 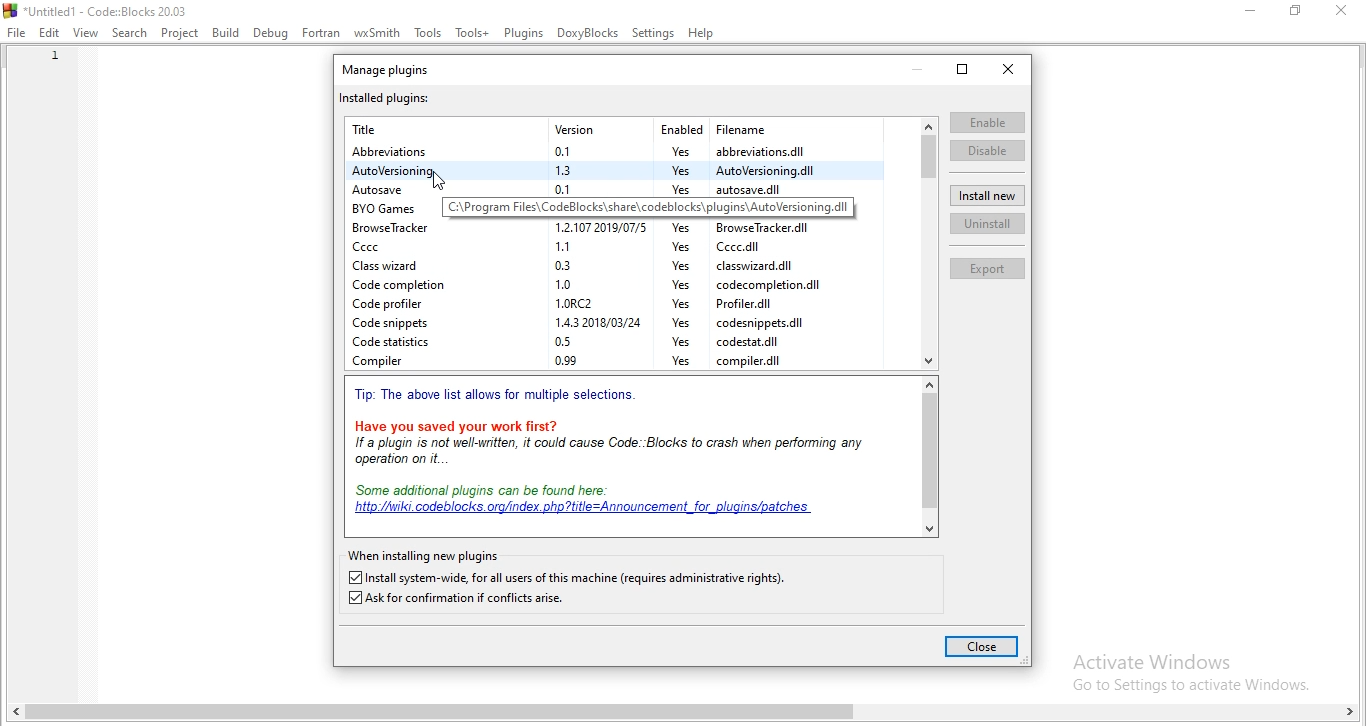 I want to click on when installing new pluginsa, so click(x=424, y=555).